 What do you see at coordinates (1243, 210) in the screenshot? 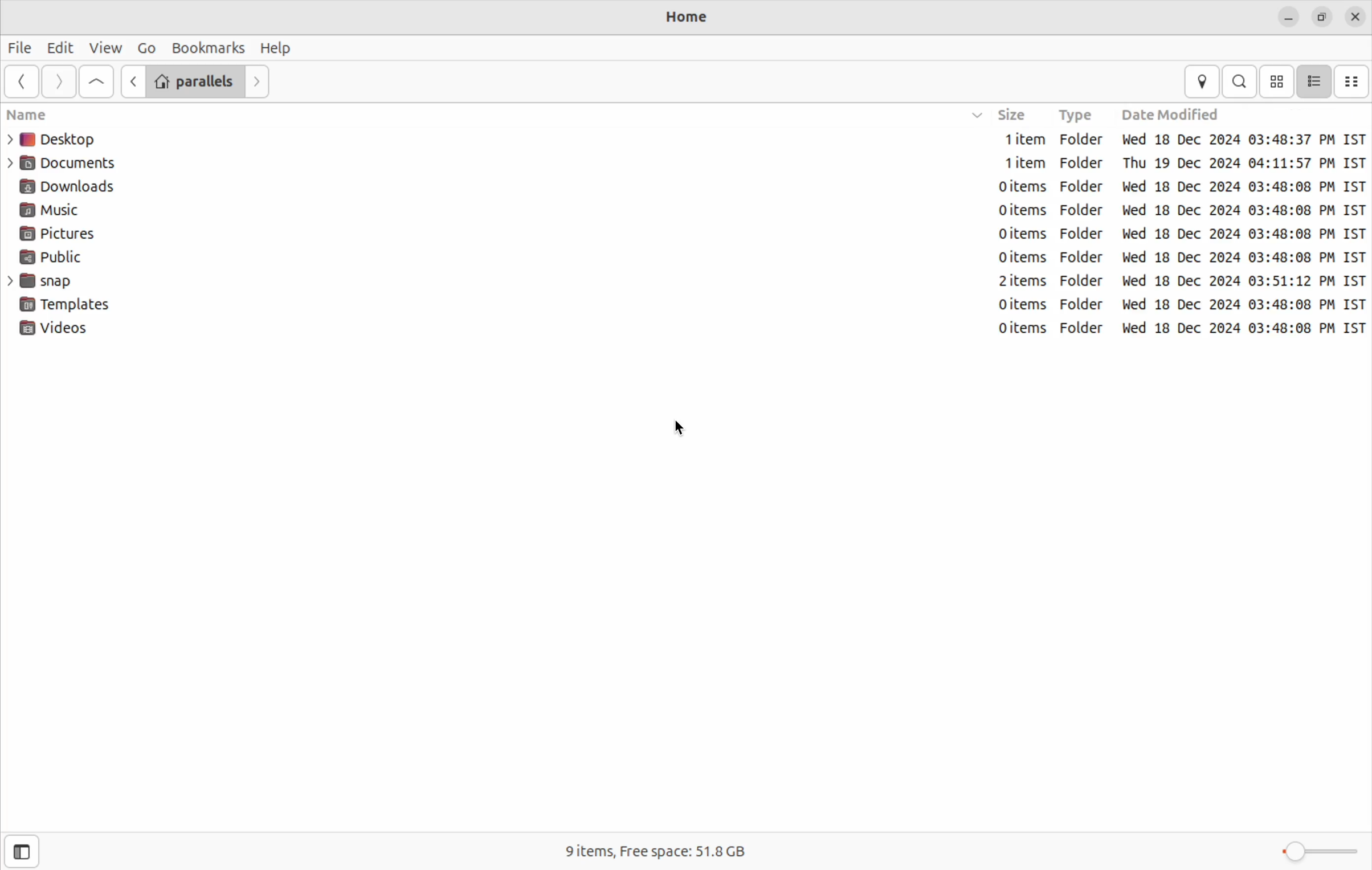
I see `Wed 18 Dec 2024 03:48:08 PM IST` at bounding box center [1243, 210].